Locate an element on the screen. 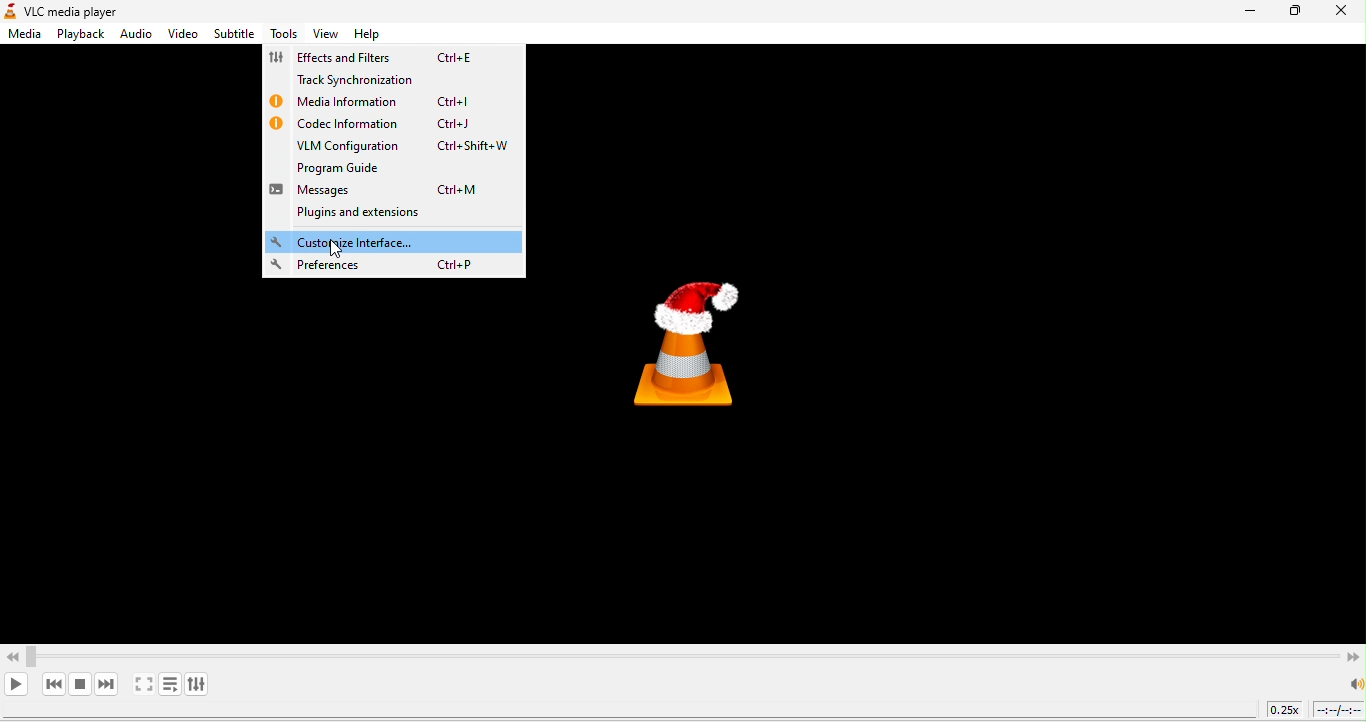 The height and width of the screenshot is (722, 1366). close is located at coordinates (1344, 13).